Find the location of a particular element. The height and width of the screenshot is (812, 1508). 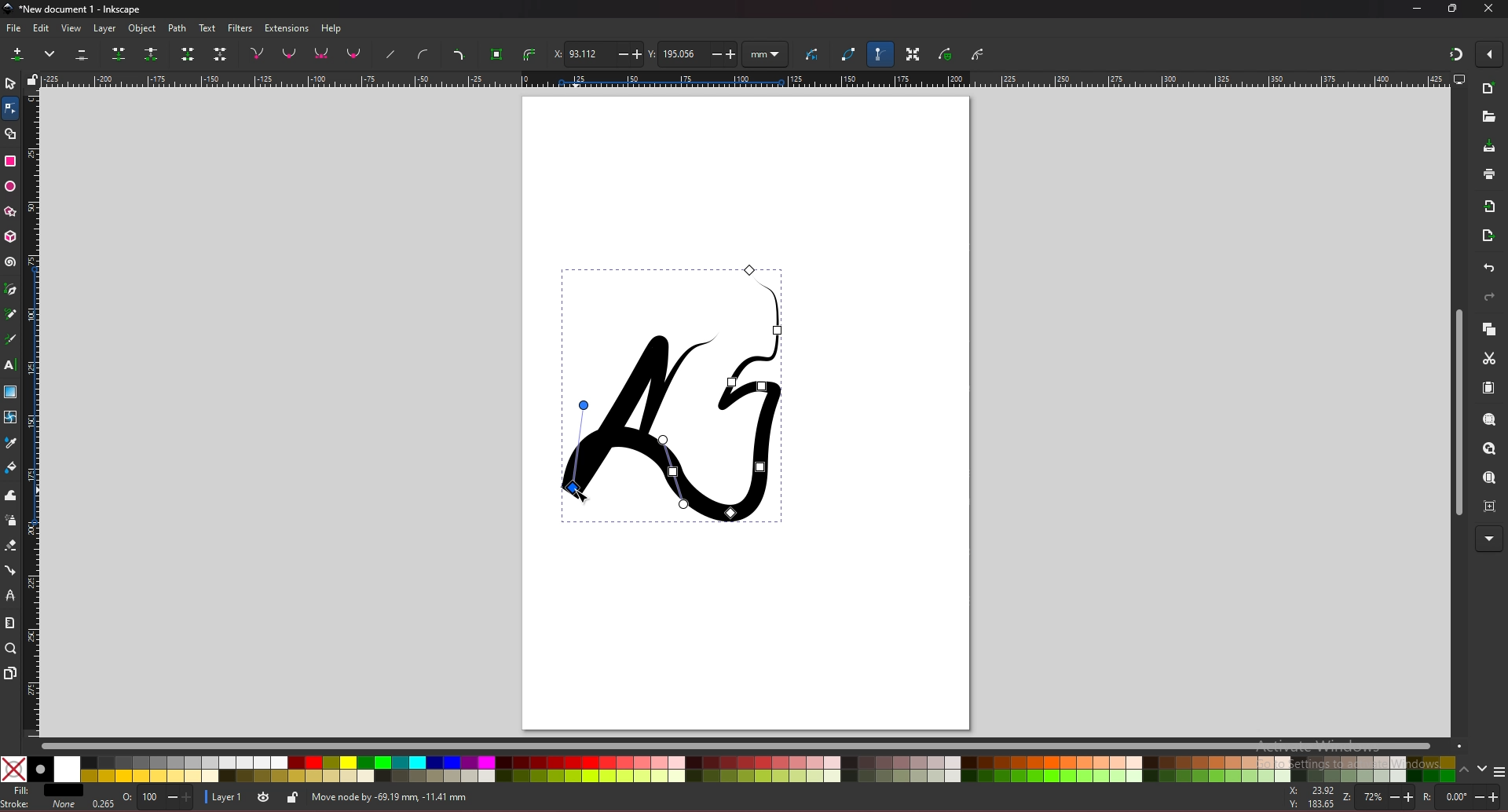

auto smooth nodes is located at coordinates (353, 53).